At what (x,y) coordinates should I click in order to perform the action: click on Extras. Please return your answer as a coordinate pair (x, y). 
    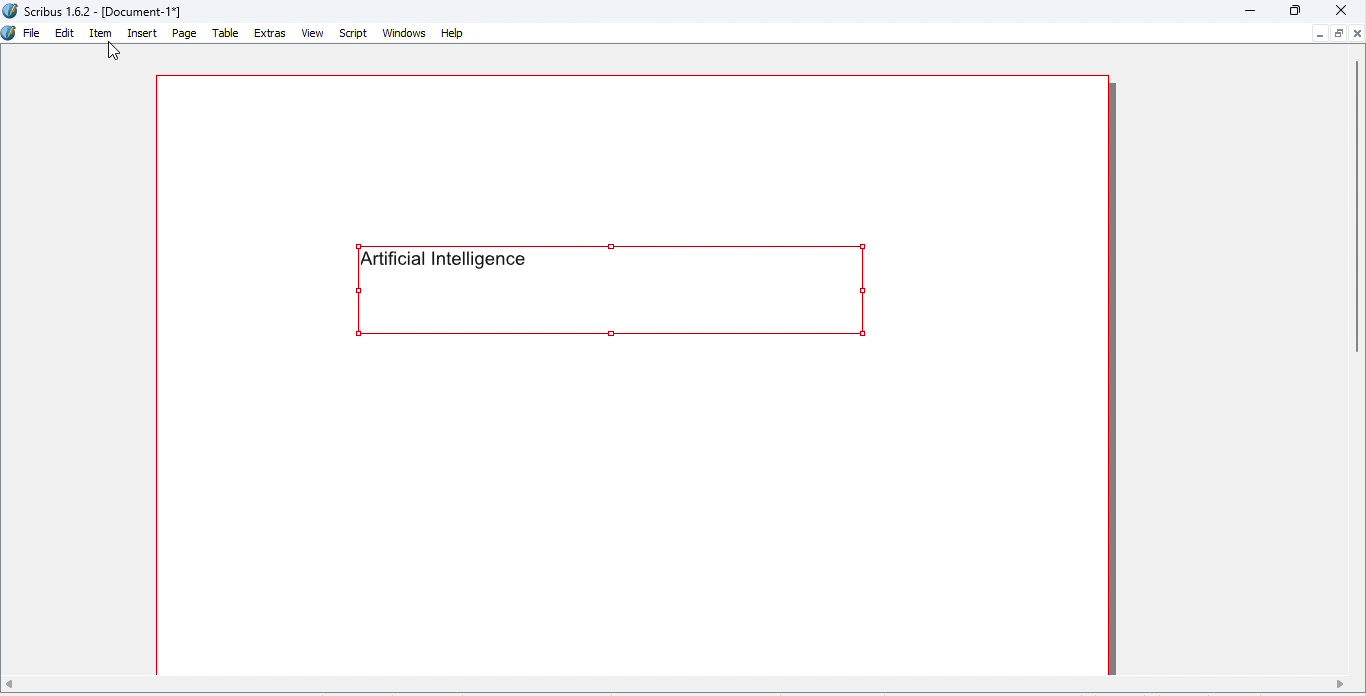
    Looking at the image, I should click on (275, 34).